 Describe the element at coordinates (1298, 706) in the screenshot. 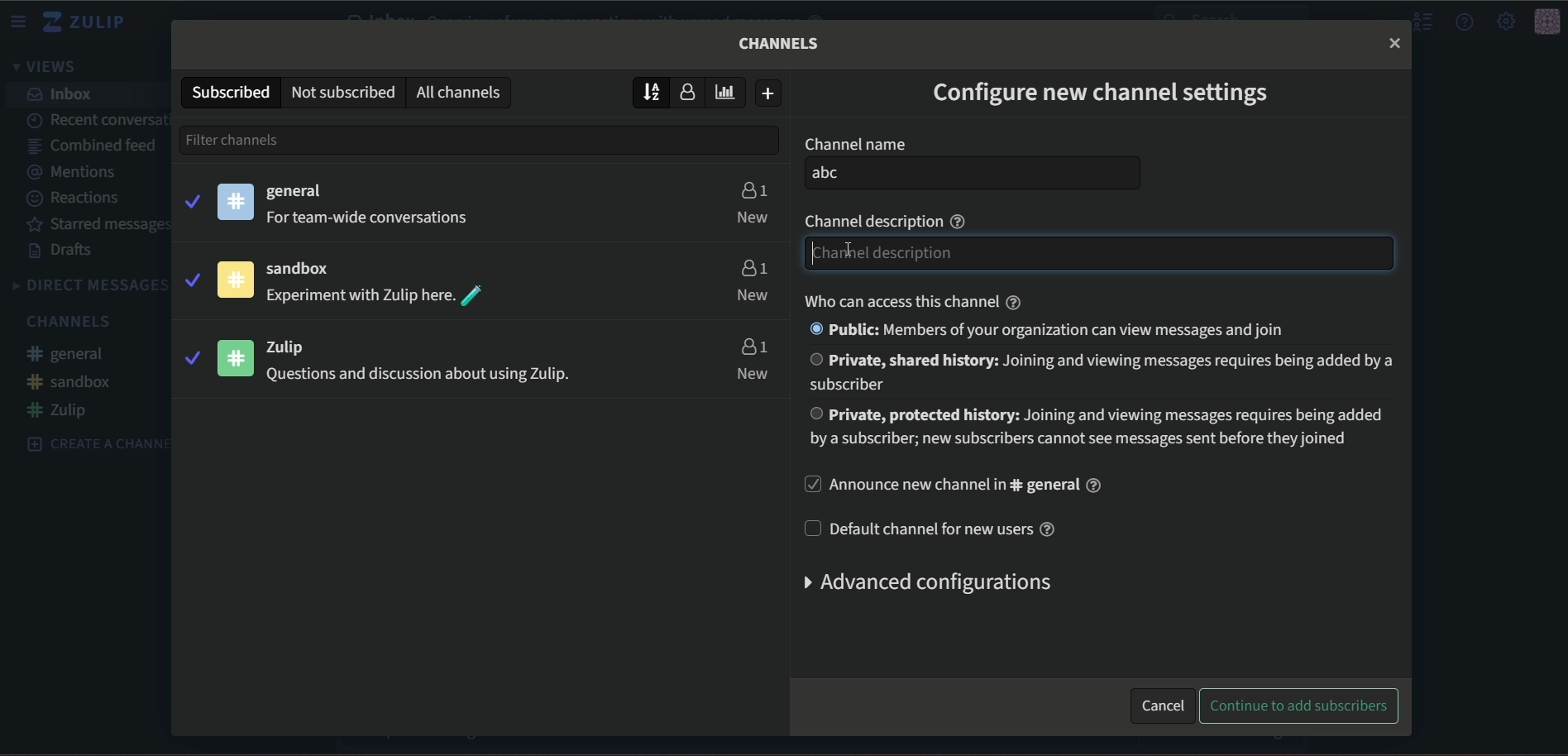

I see `continue to add subscribers` at that location.